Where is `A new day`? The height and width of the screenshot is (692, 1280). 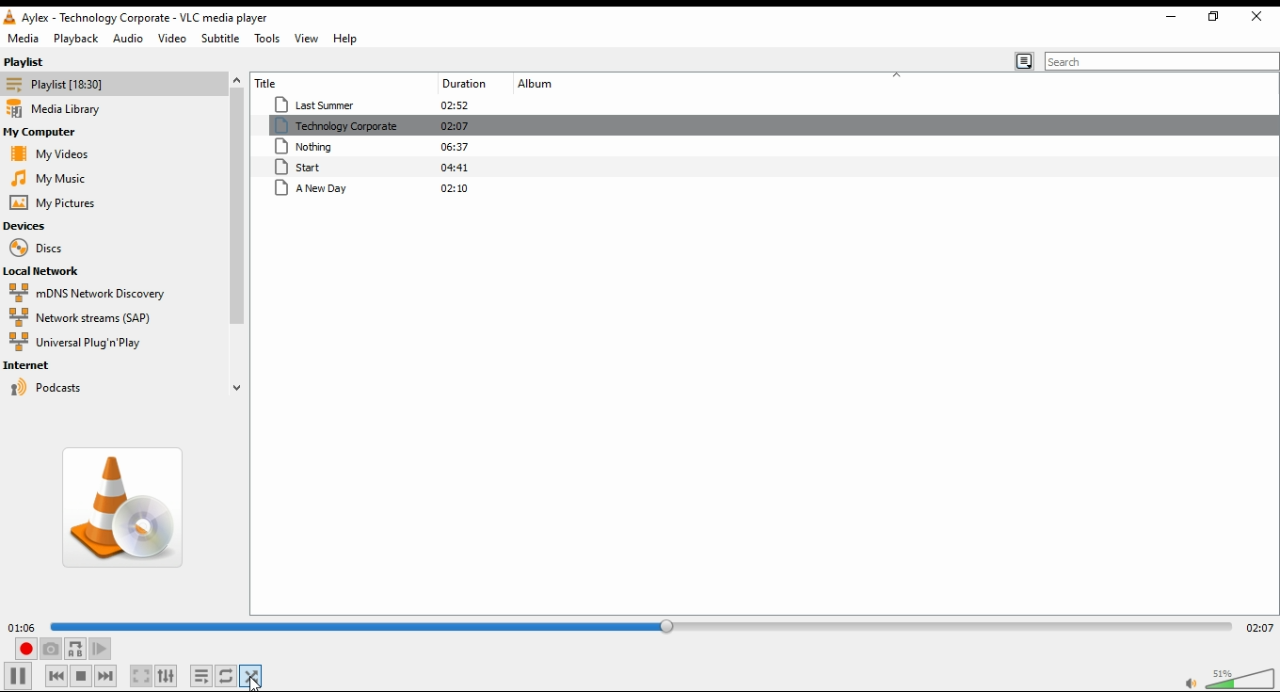
A new day is located at coordinates (383, 189).